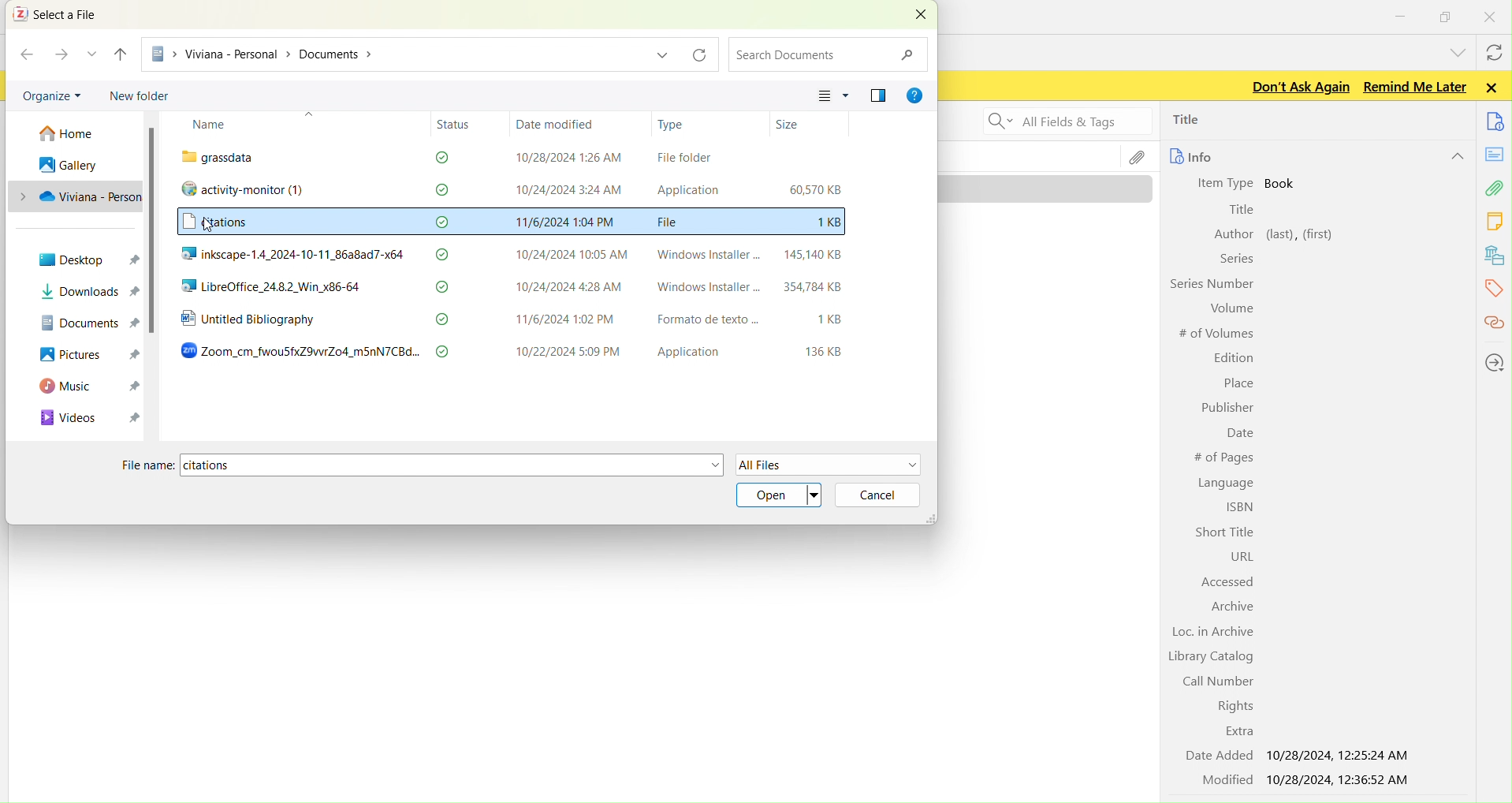 This screenshot has height=803, width=1512. Describe the element at coordinates (56, 98) in the screenshot. I see `organize` at that location.